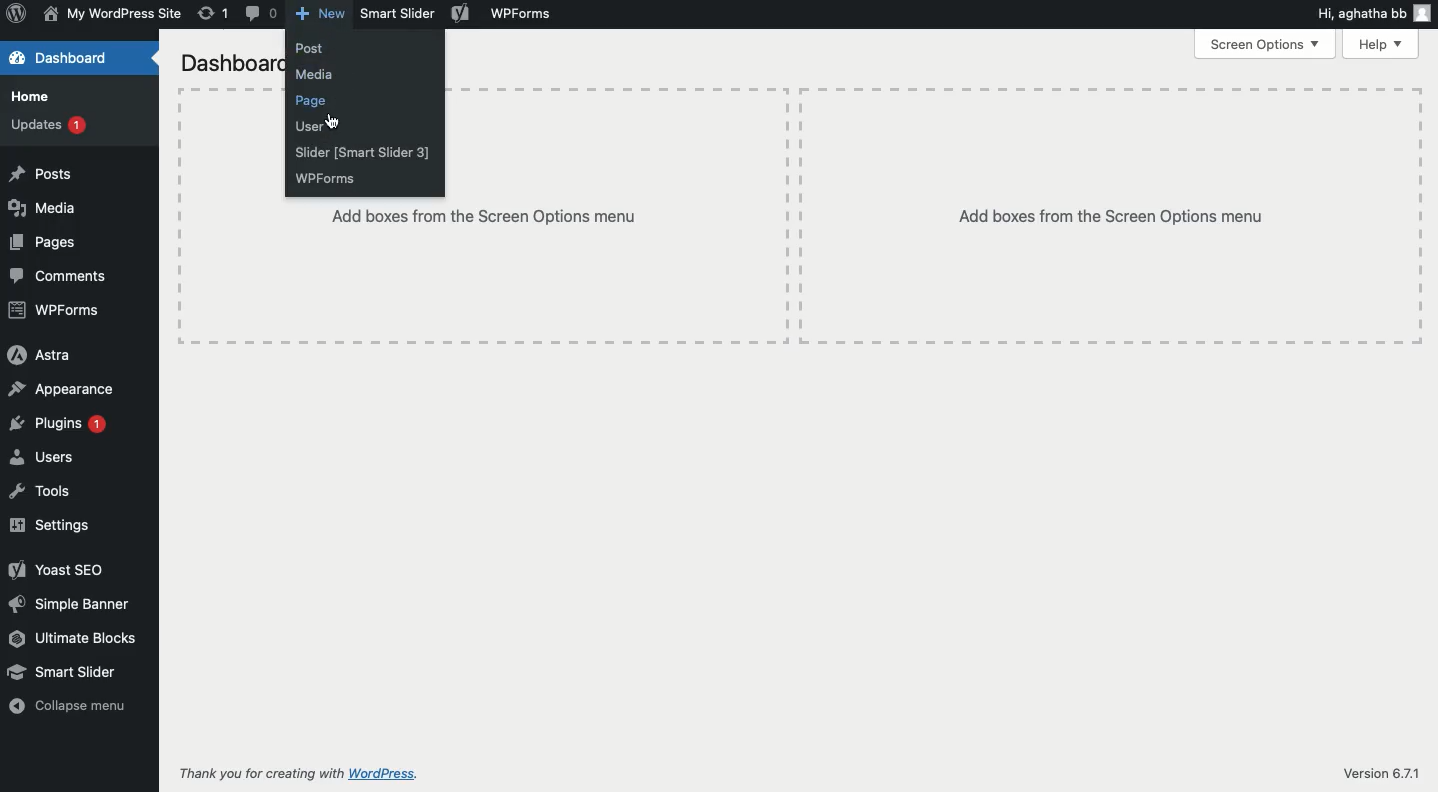 This screenshot has height=792, width=1438. What do you see at coordinates (43, 211) in the screenshot?
I see `Media` at bounding box center [43, 211].